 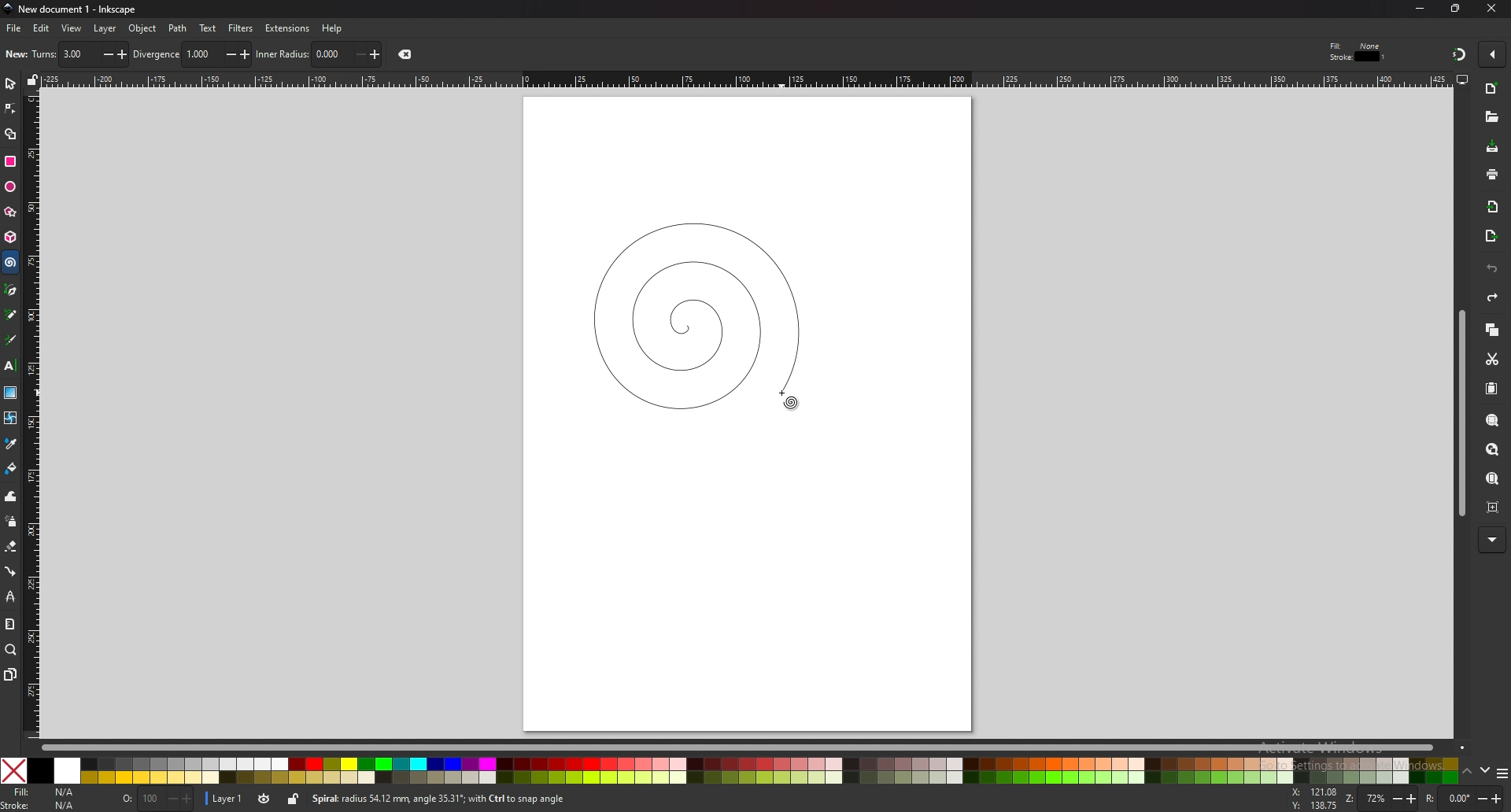 What do you see at coordinates (144, 28) in the screenshot?
I see `object` at bounding box center [144, 28].